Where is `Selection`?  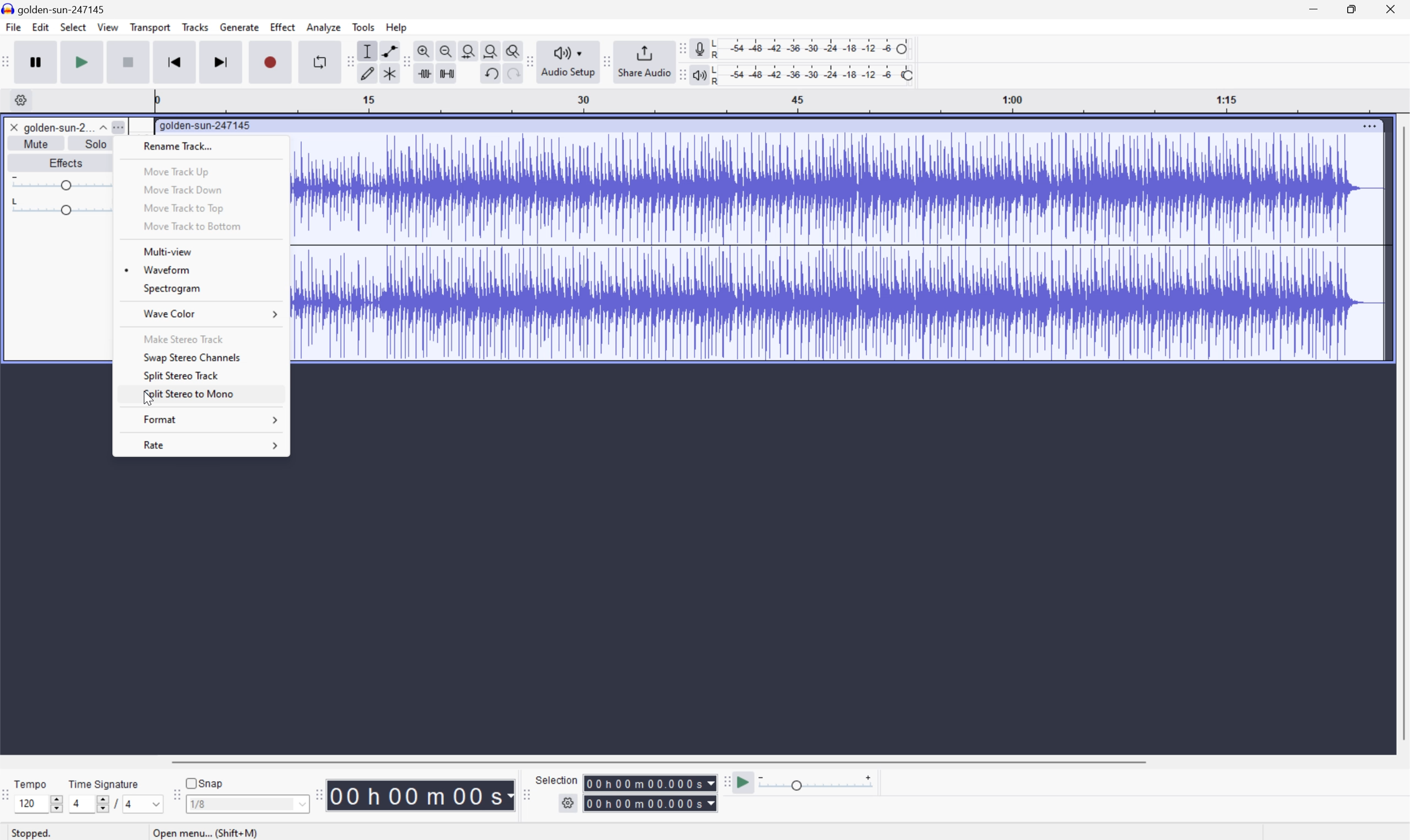 Selection is located at coordinates (558, 779).